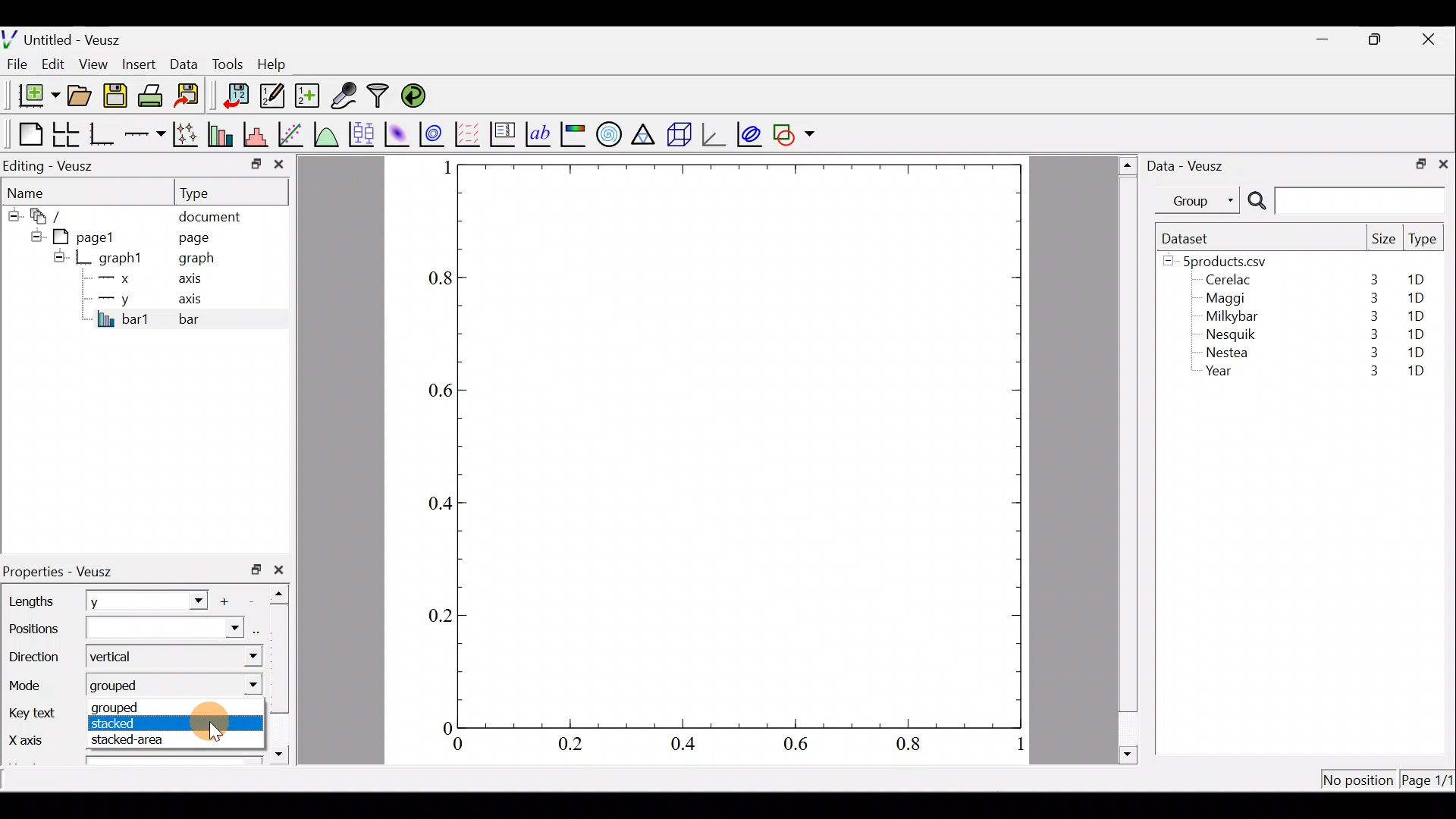 The width and height of the screenshot is (1456, 819). What do you see at coordinates (272, 96) in the screenshot?
I see `Edit and enter new datasets` at bounding box center [272, 96].